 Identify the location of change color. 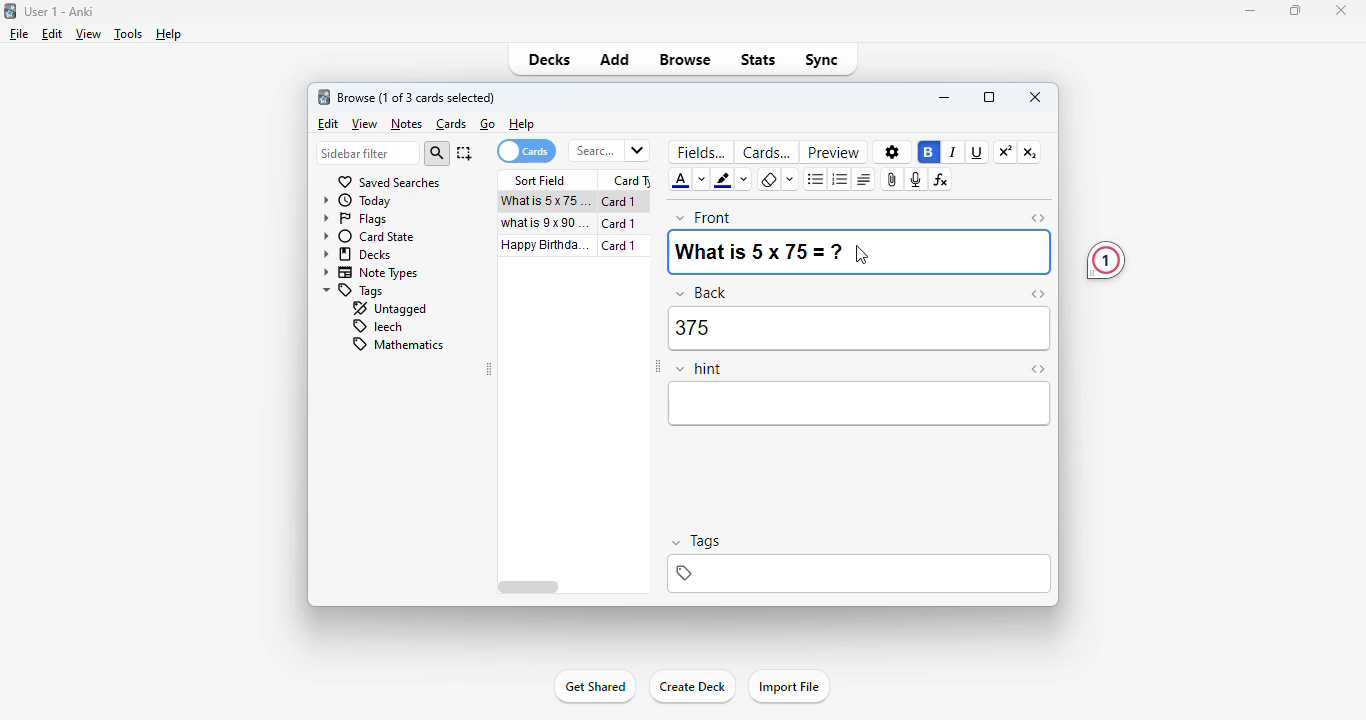
(744, 181).